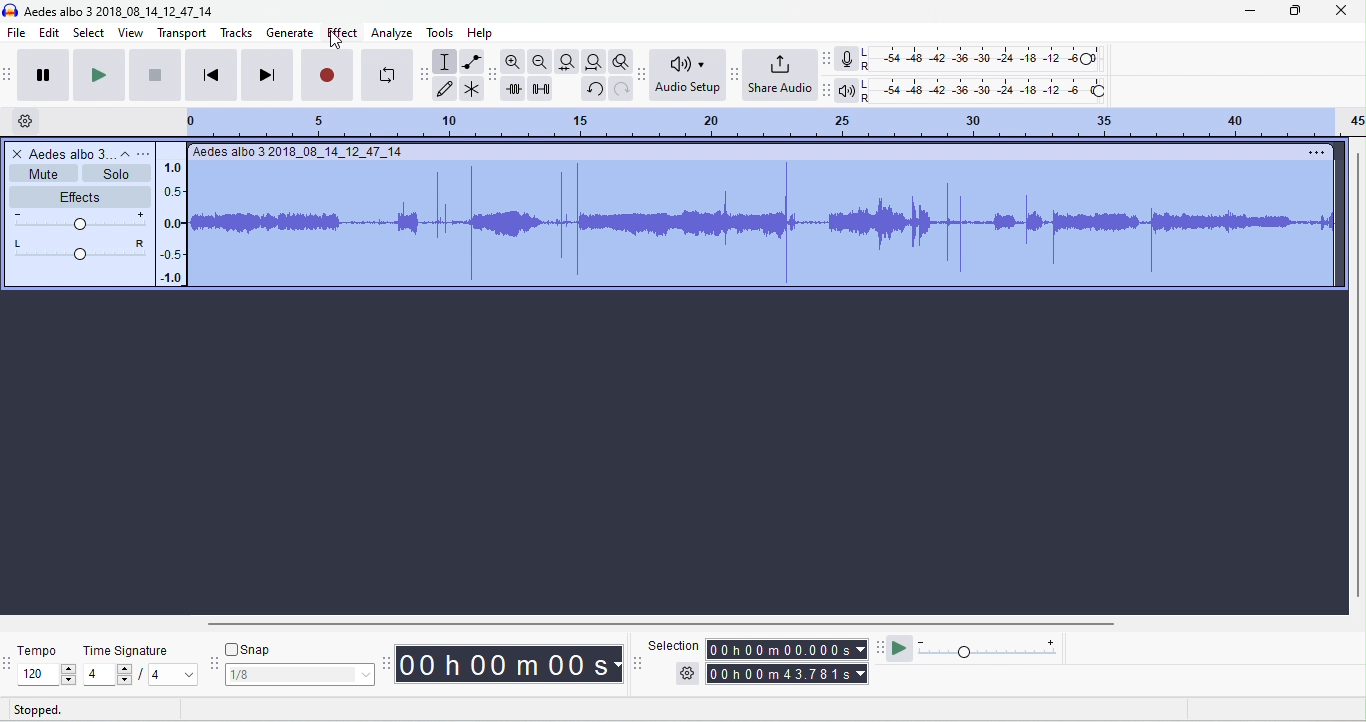  What do you see at coordinates (472, 90) in the screenshot?
I see `multi tool` at bounding box center [472, 90].